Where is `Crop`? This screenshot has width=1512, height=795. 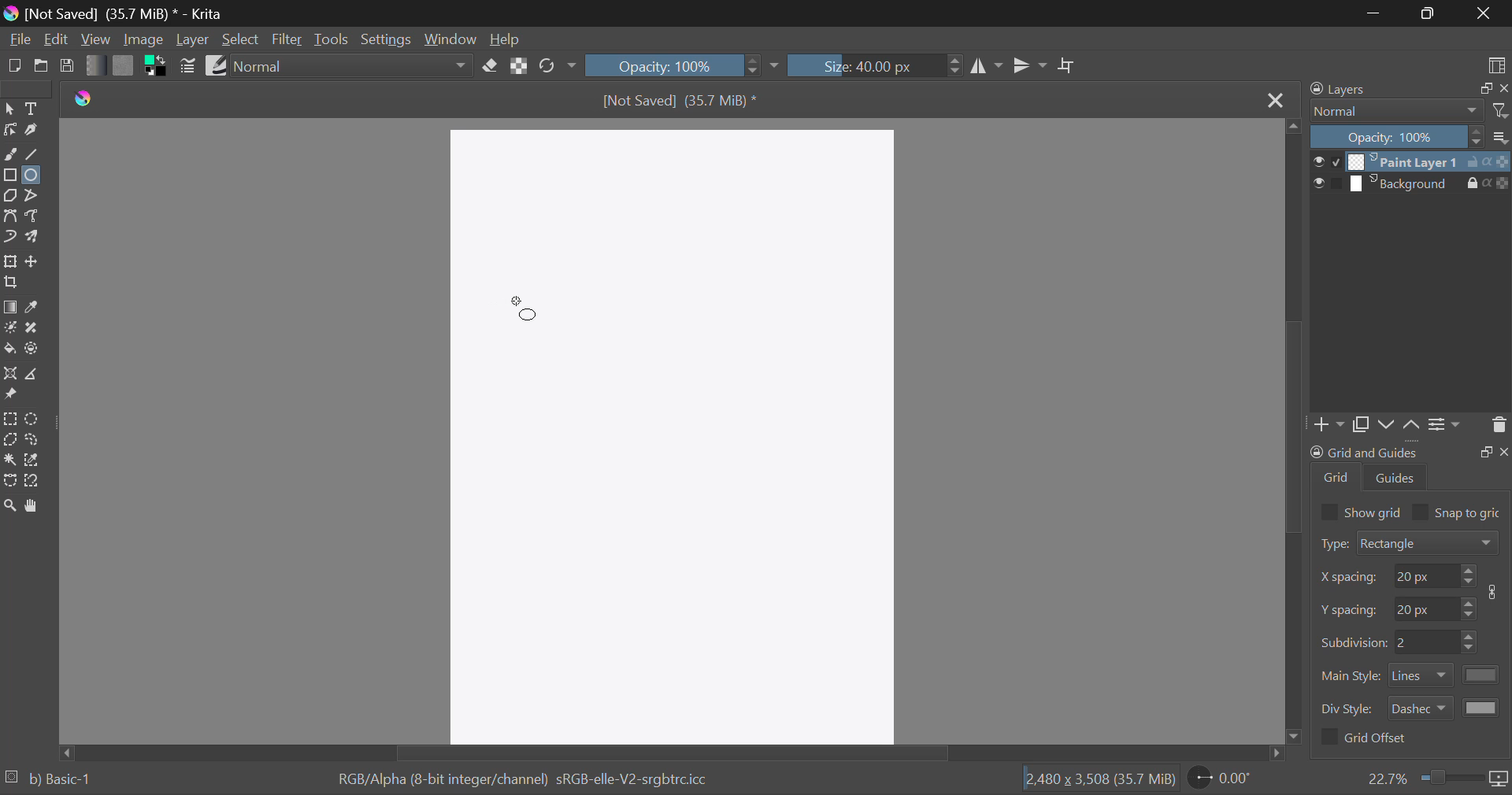 Crop is located at coordinates (1068, 66).